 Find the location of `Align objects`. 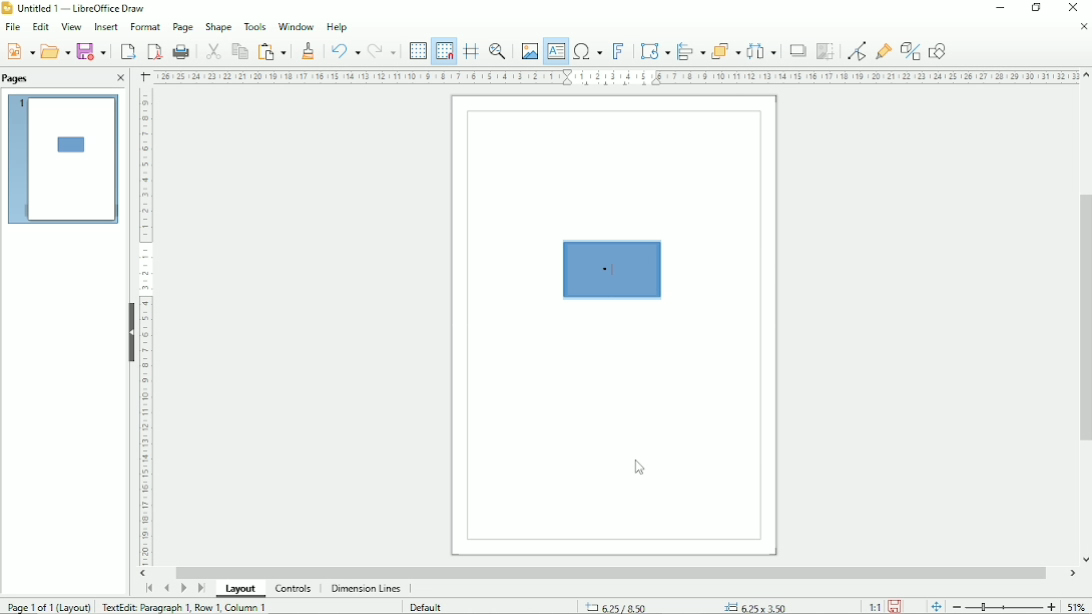

Align objects is located at coordinates (690, 49).